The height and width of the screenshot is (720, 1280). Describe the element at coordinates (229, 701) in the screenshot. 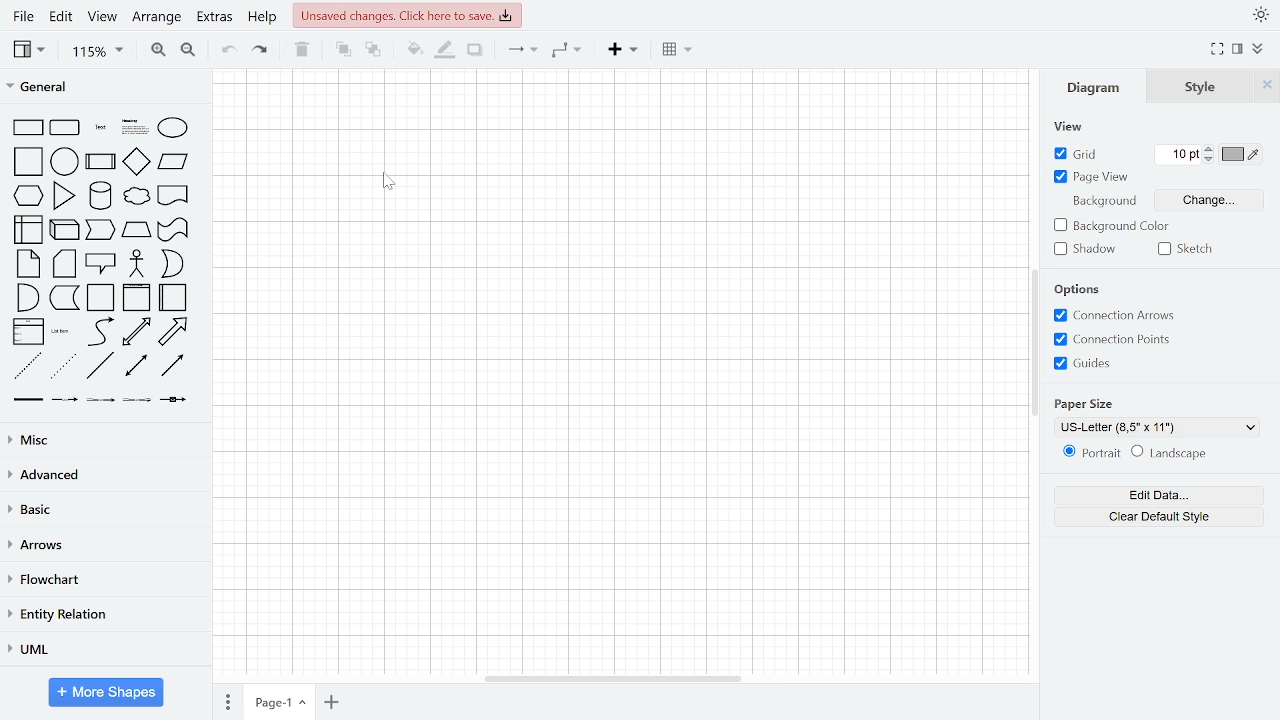

I see `pages` at that location.